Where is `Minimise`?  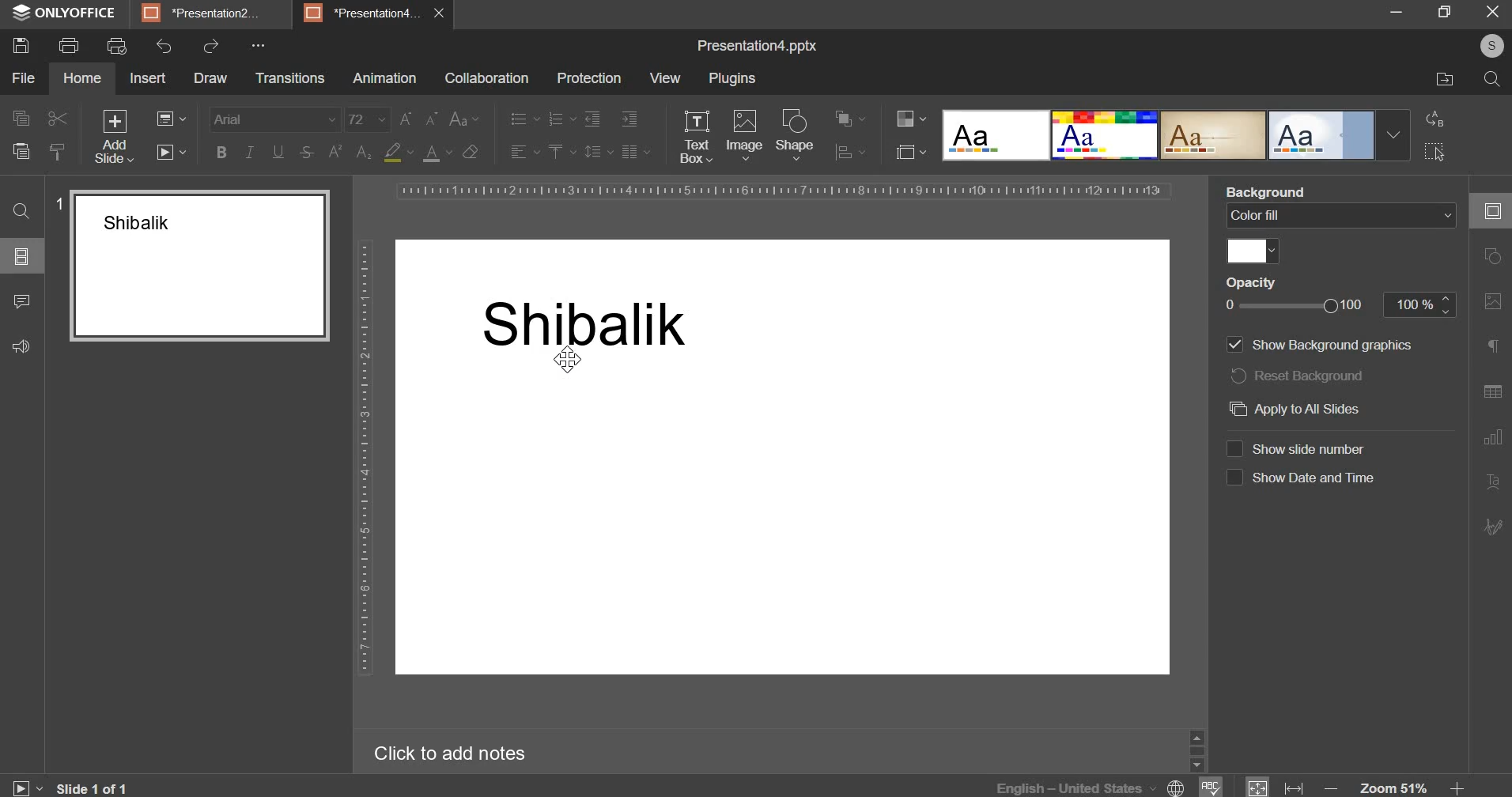 Minimise is located at coordinates (1443, 15).